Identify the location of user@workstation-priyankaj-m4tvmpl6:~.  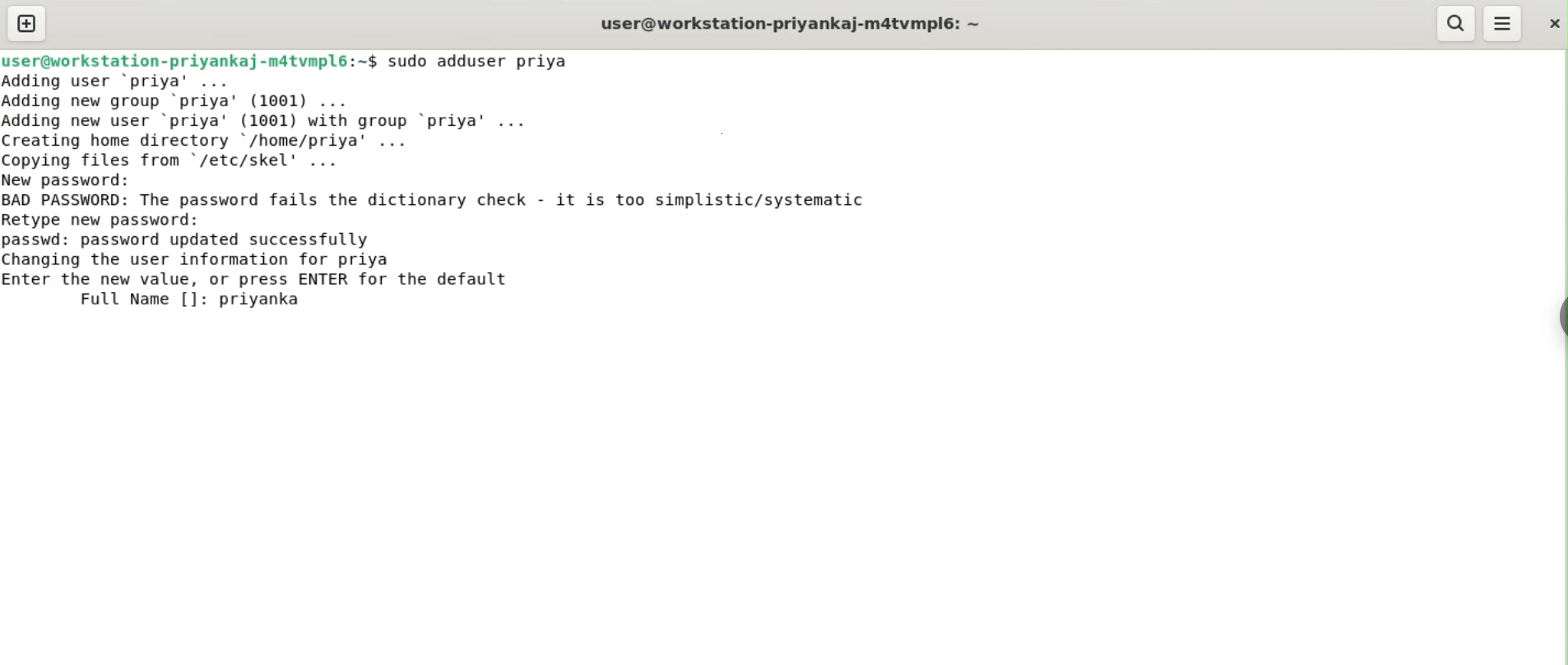
(787, 23).